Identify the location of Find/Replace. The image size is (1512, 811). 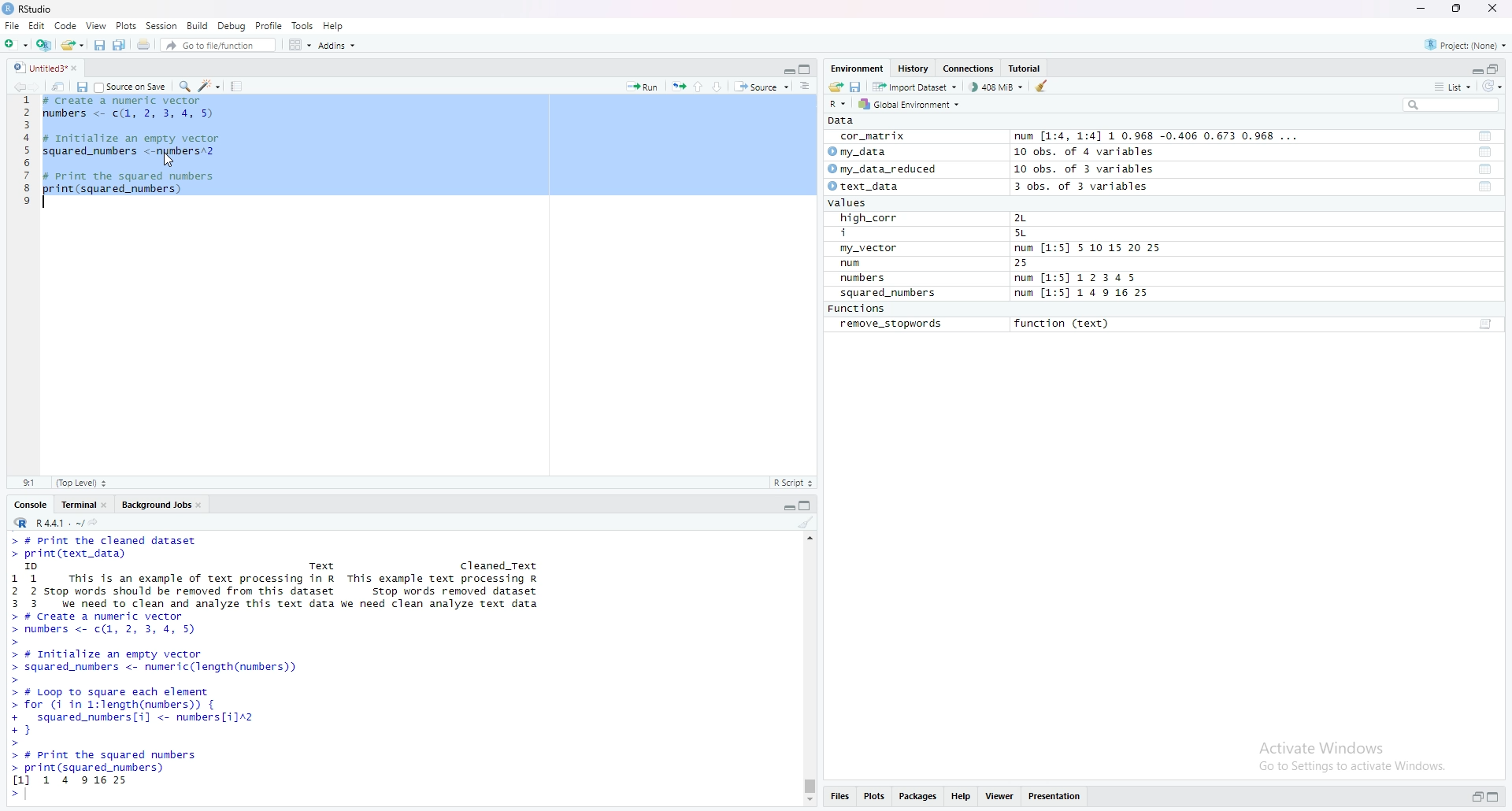
(184, 85).